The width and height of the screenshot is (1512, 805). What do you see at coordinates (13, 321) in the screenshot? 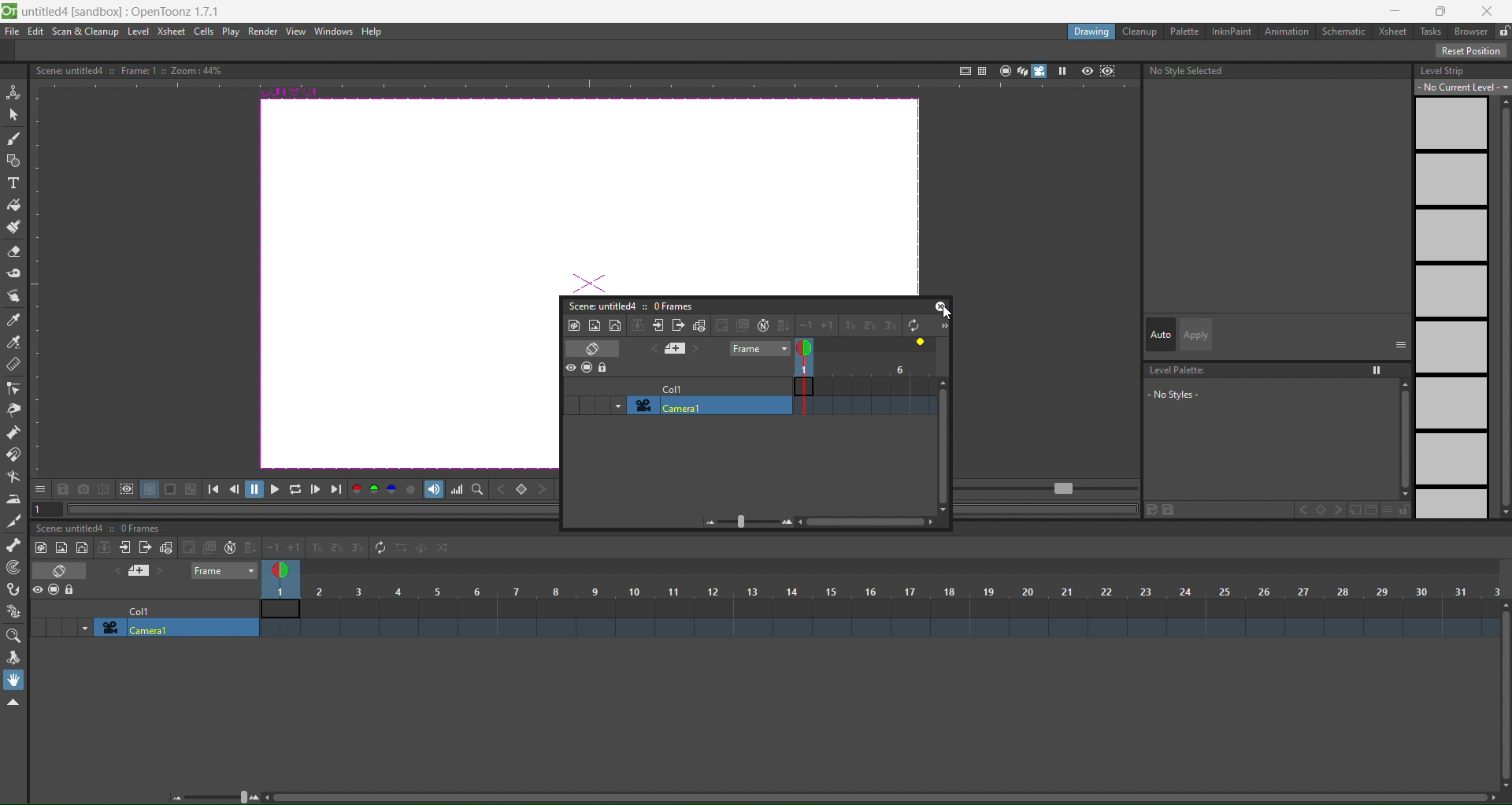
I see `style picker tool` at bounding box center [13, 321].